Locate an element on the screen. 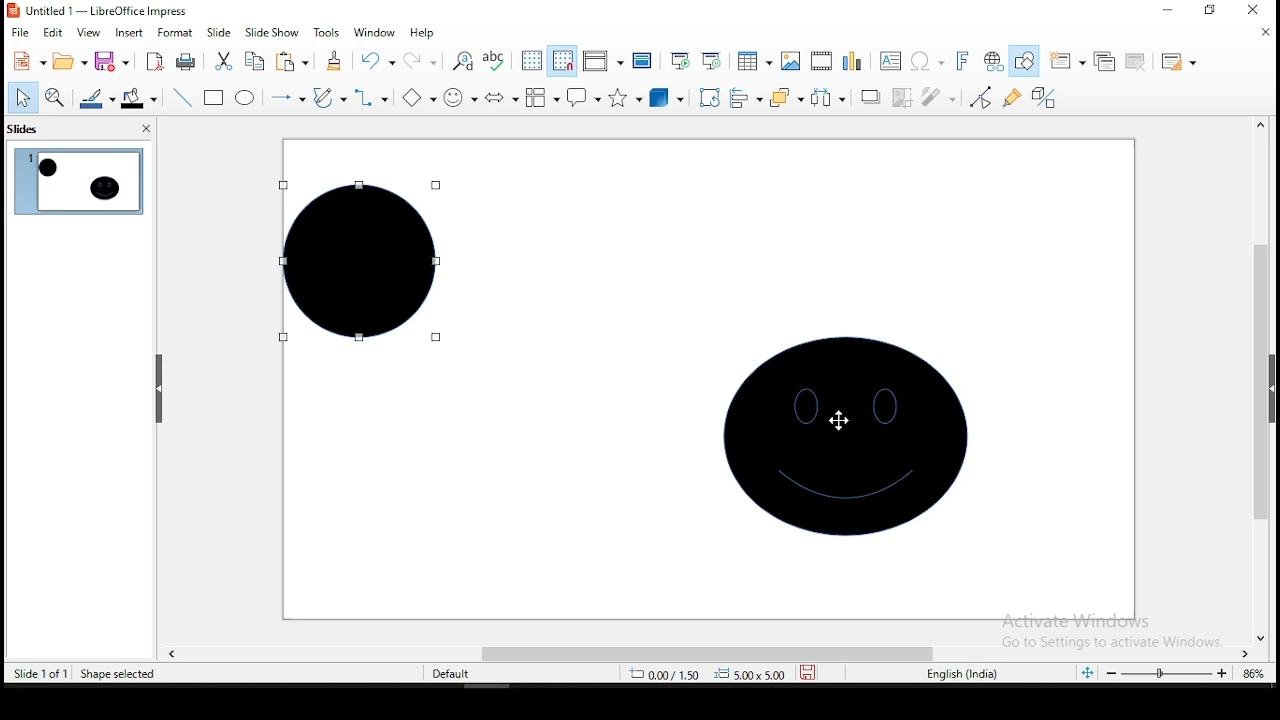  insert is located at coordinates (129, 33).